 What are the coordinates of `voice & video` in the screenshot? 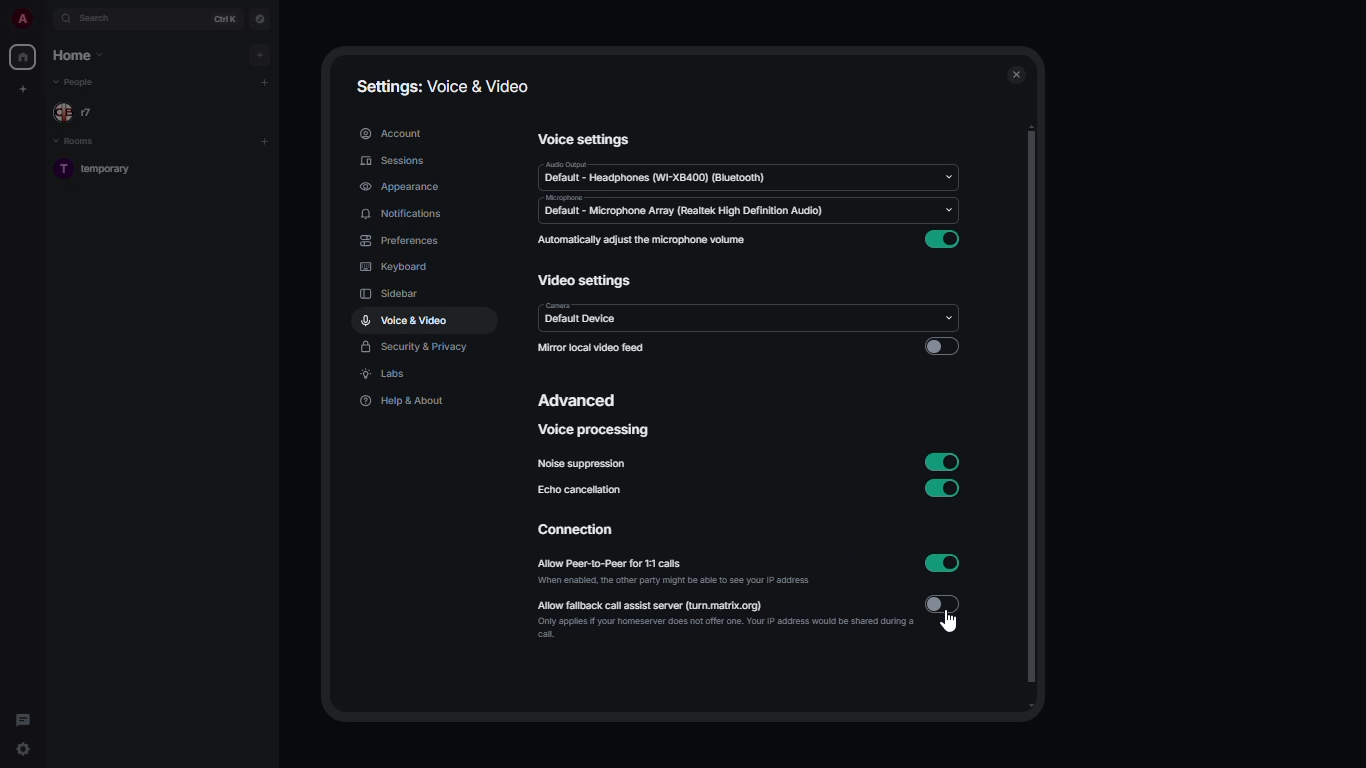 It's located at (404, 321).